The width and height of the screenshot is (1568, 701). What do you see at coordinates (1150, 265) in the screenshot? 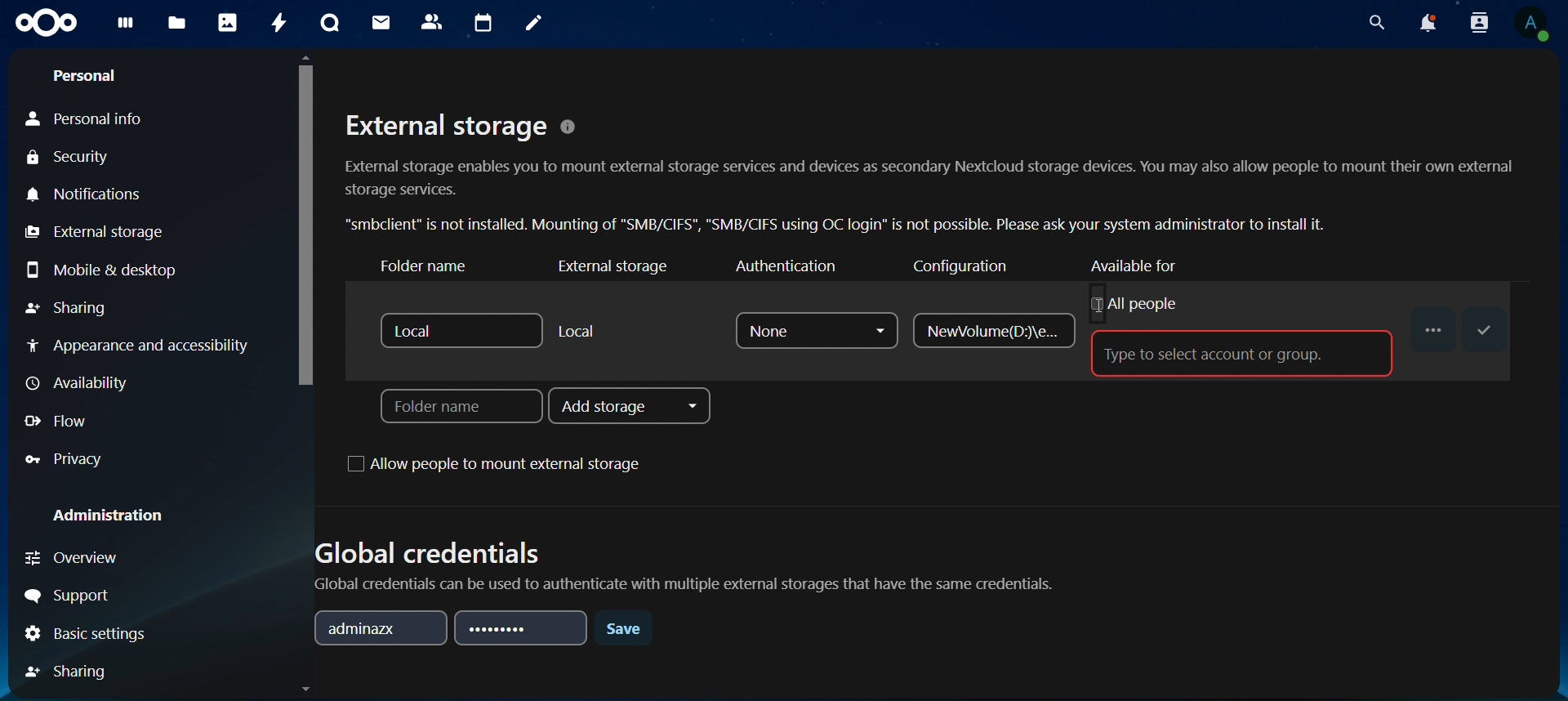
I see `available for` at bounding box center [1150, 265].